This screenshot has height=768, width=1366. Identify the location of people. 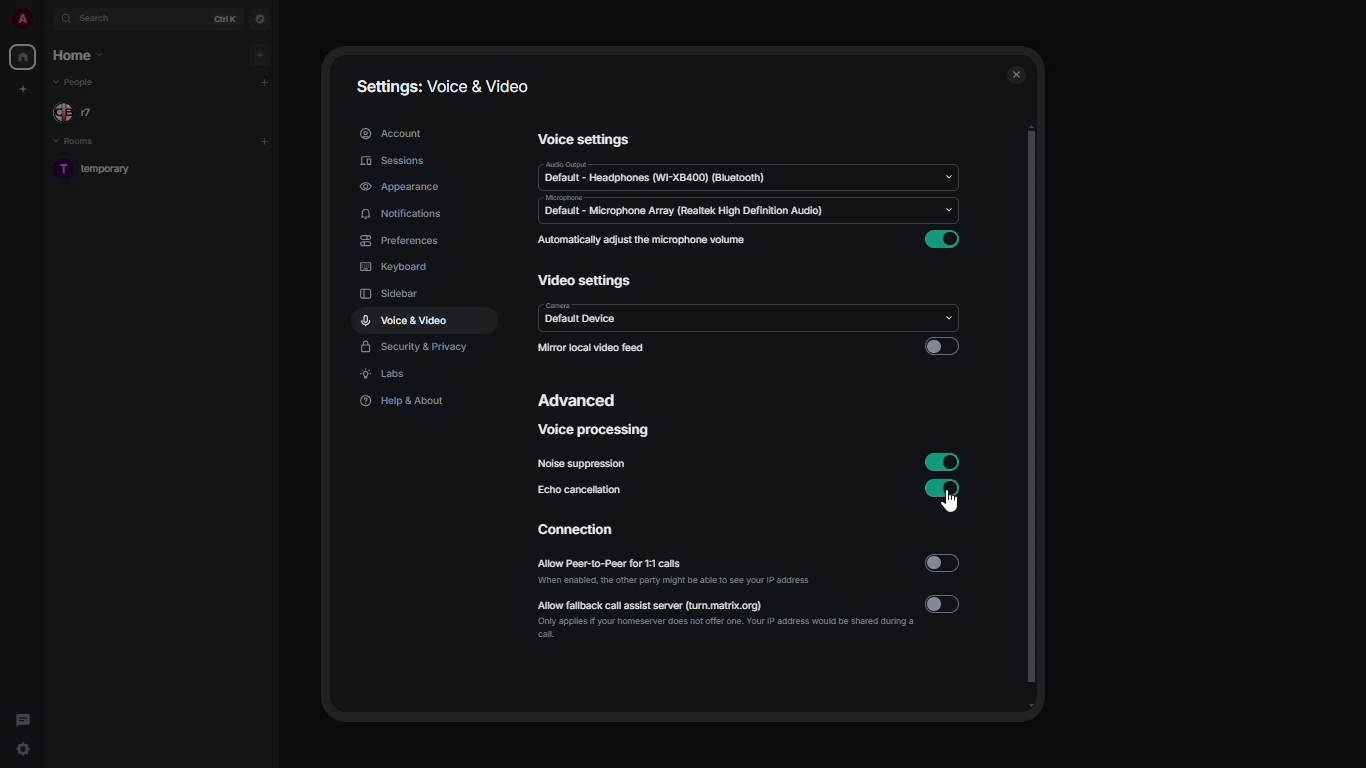
(77, 113).